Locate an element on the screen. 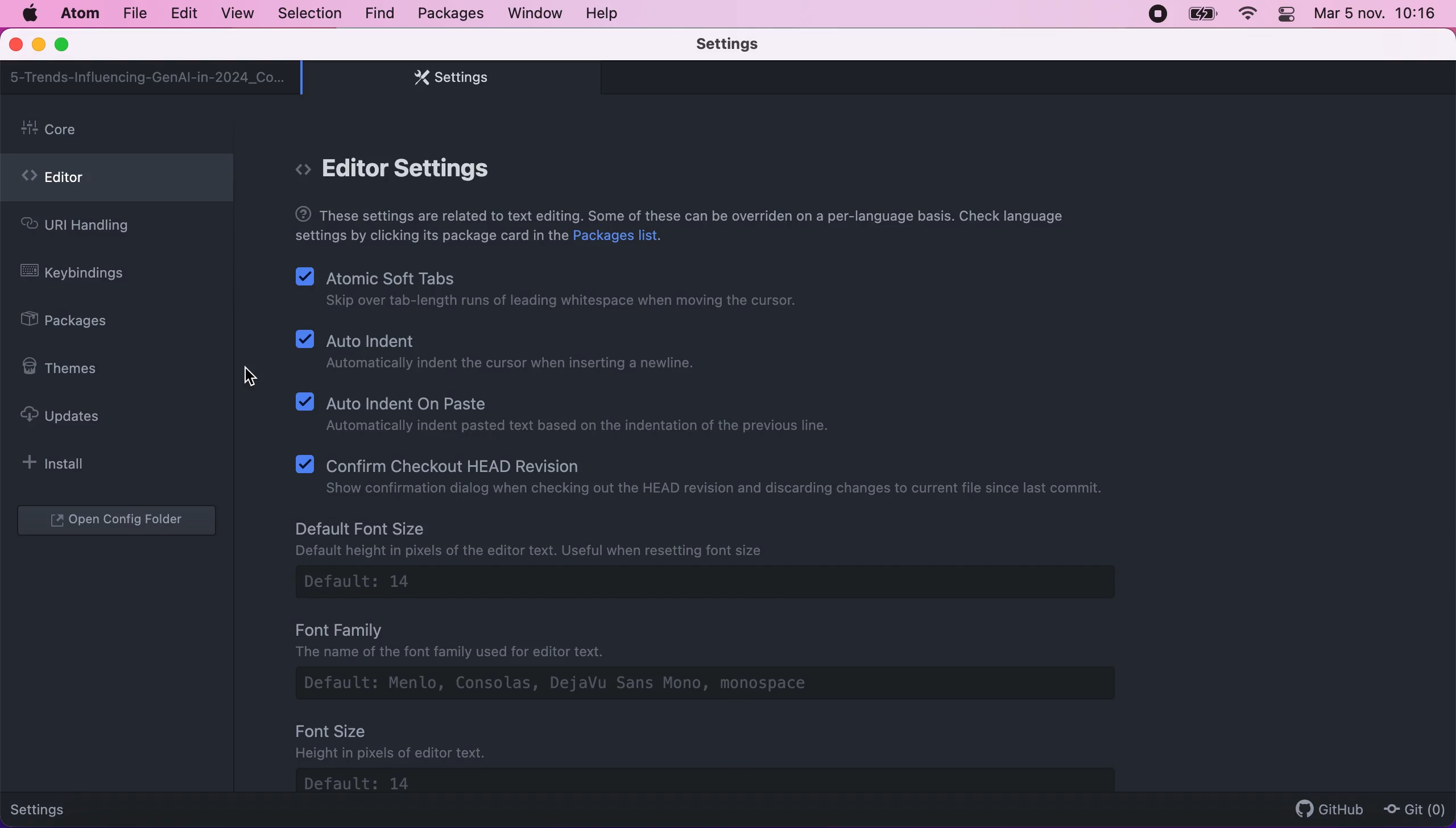 Image resolution: width=1456 pixels, height=828 pixels. recording stopped is located at coordinates (1156, 13).